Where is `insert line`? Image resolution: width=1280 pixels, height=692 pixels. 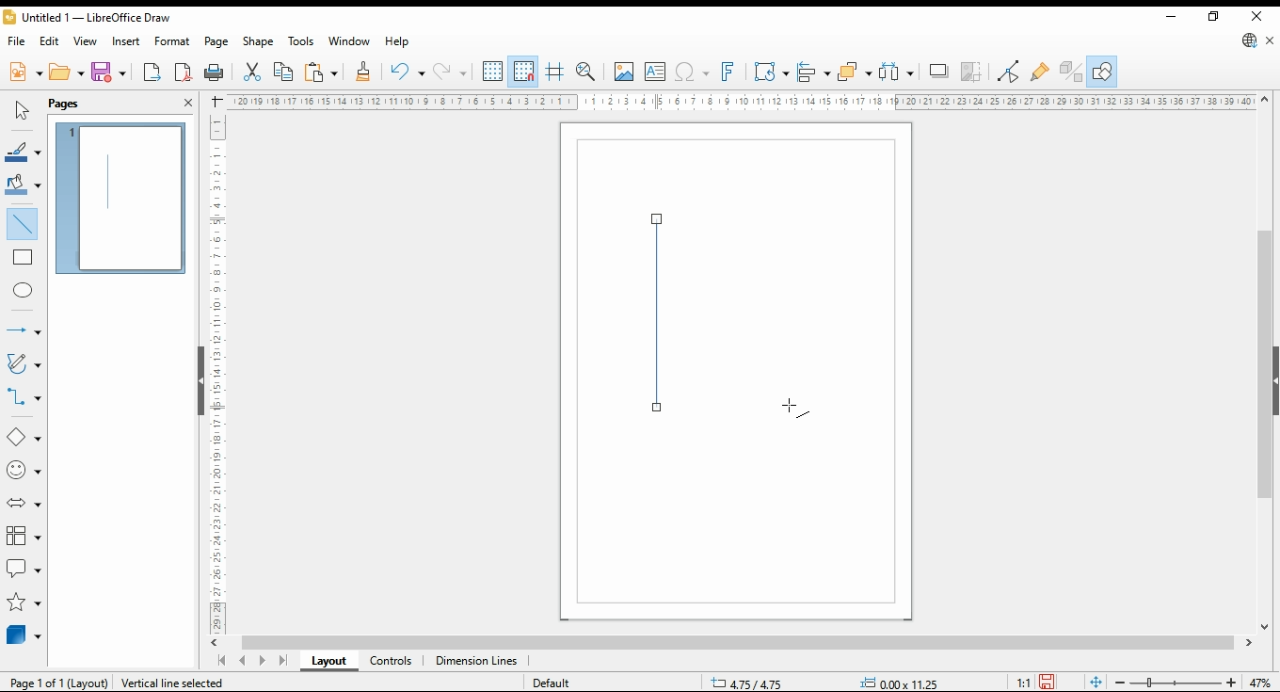
insert line is located at coordinates (22, 222).